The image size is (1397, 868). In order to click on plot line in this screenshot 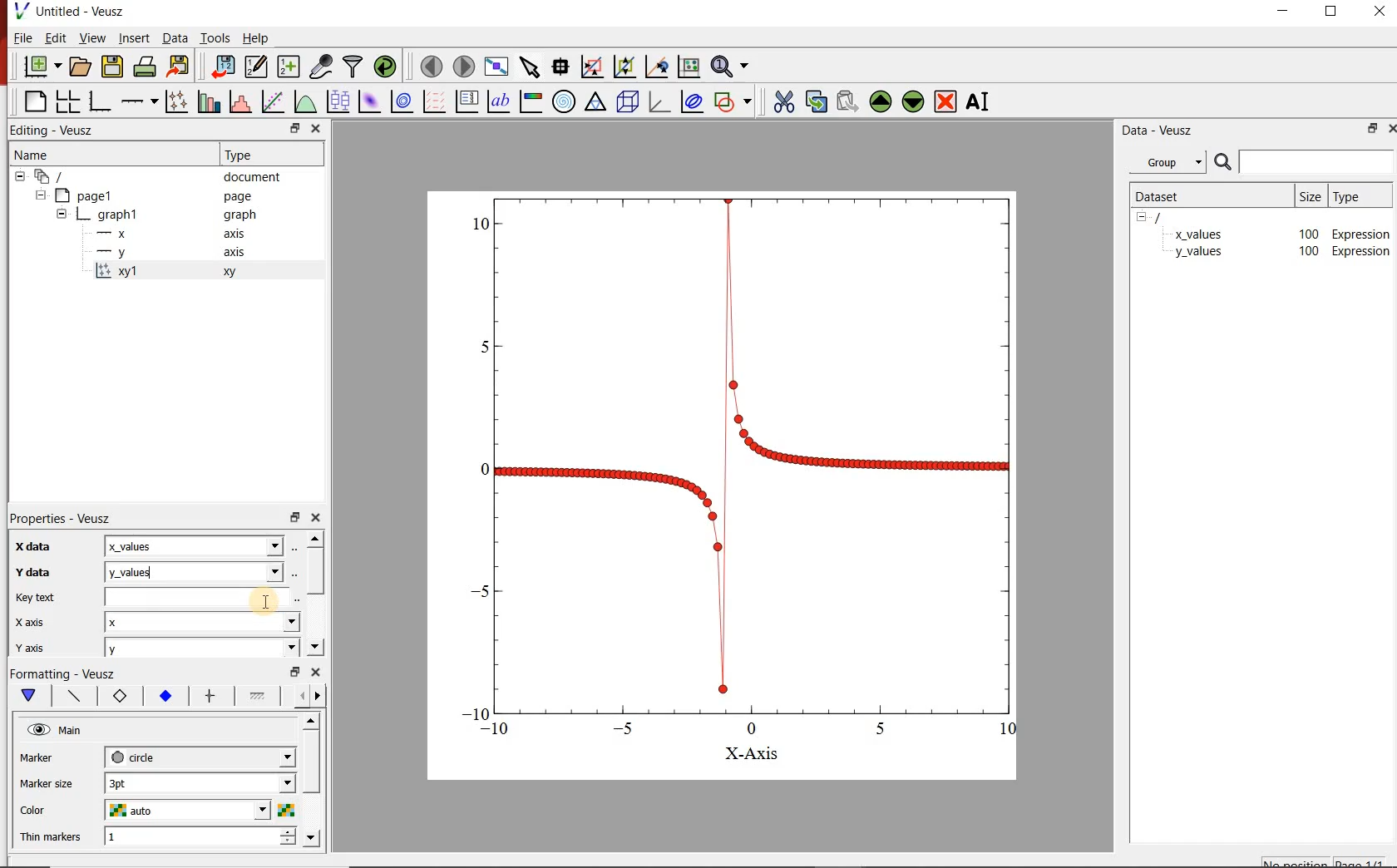, I will do `click(77, 696)`.